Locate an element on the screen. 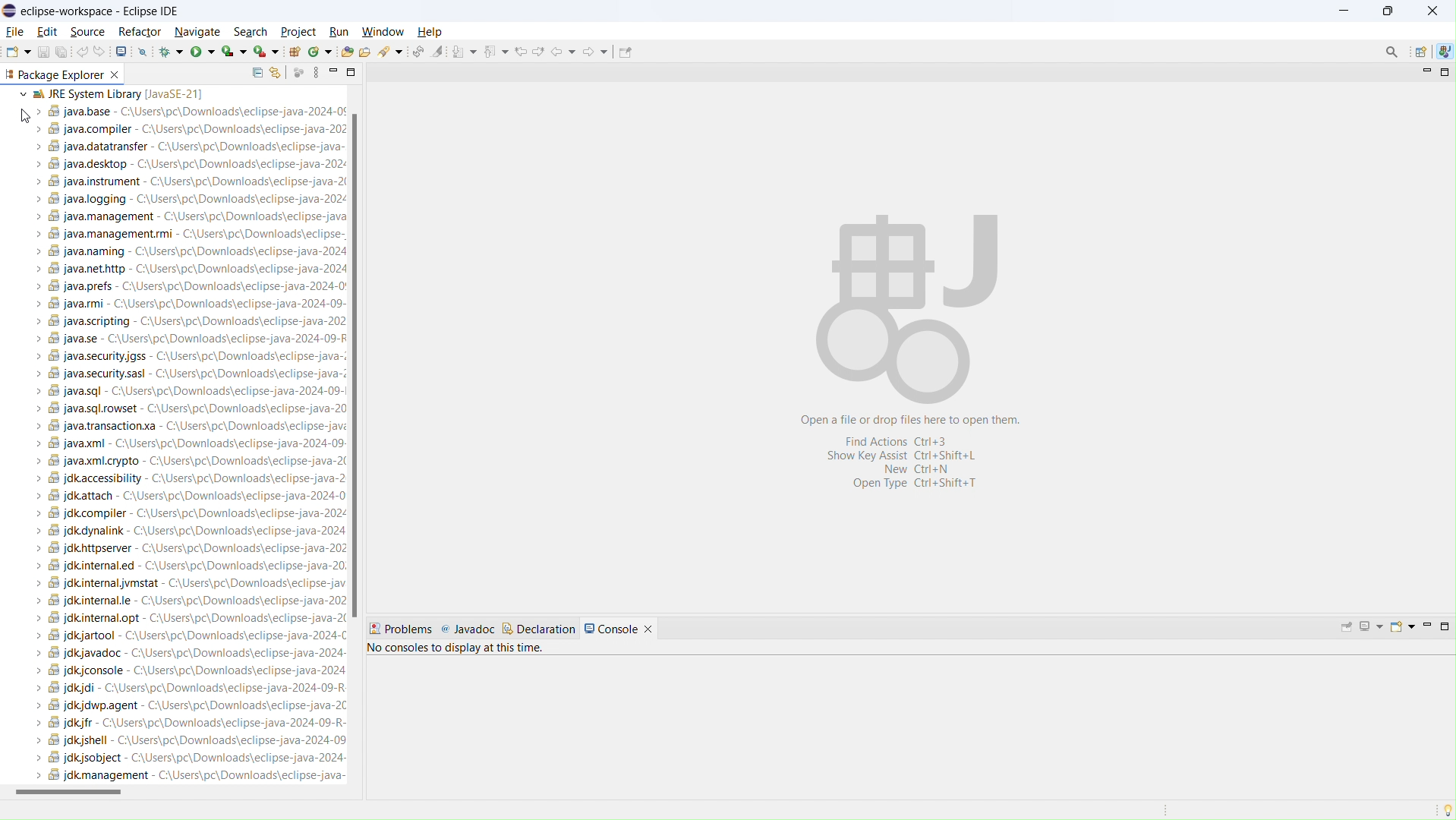 This screenshot has height=820, width=1456. navigate is located at coordinates (199, 30).